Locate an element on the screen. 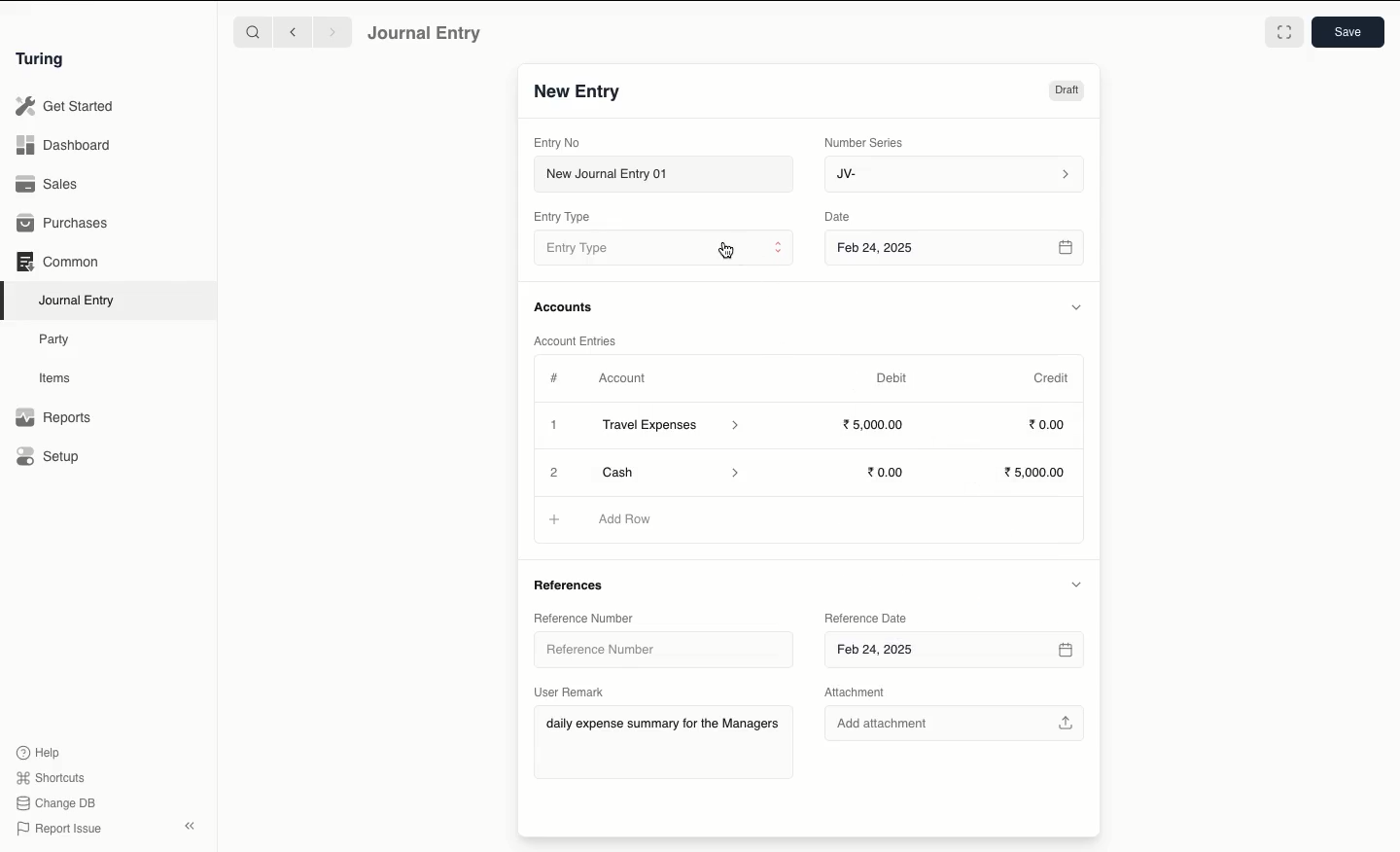 Image resolution: width=1400 pixels, height=852 pixels. Sales is located at coordinates (50, 184).